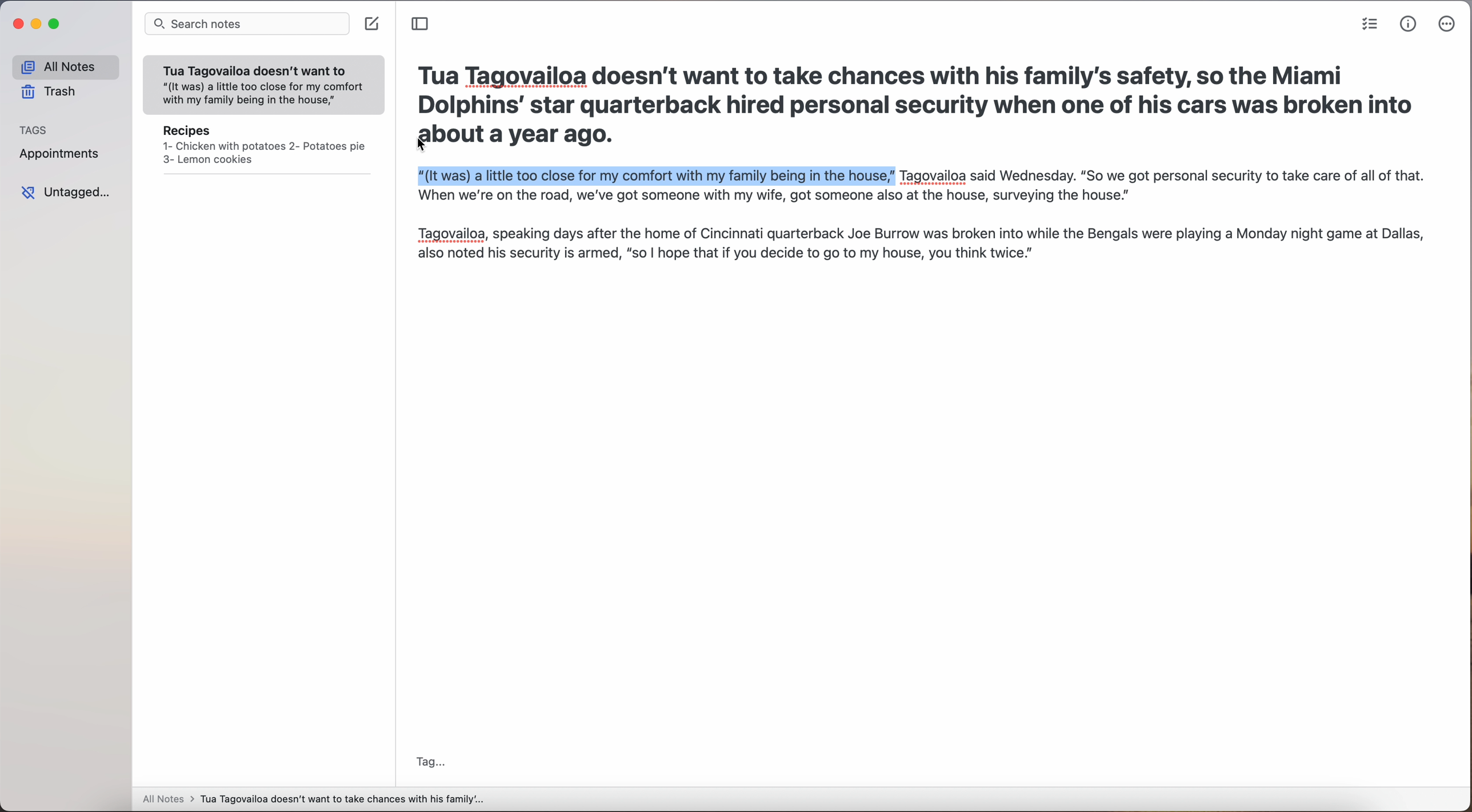  Describe the element at coordinates (923, 215) in the screenshot. I see `enlarged typo on the body text` at that location.